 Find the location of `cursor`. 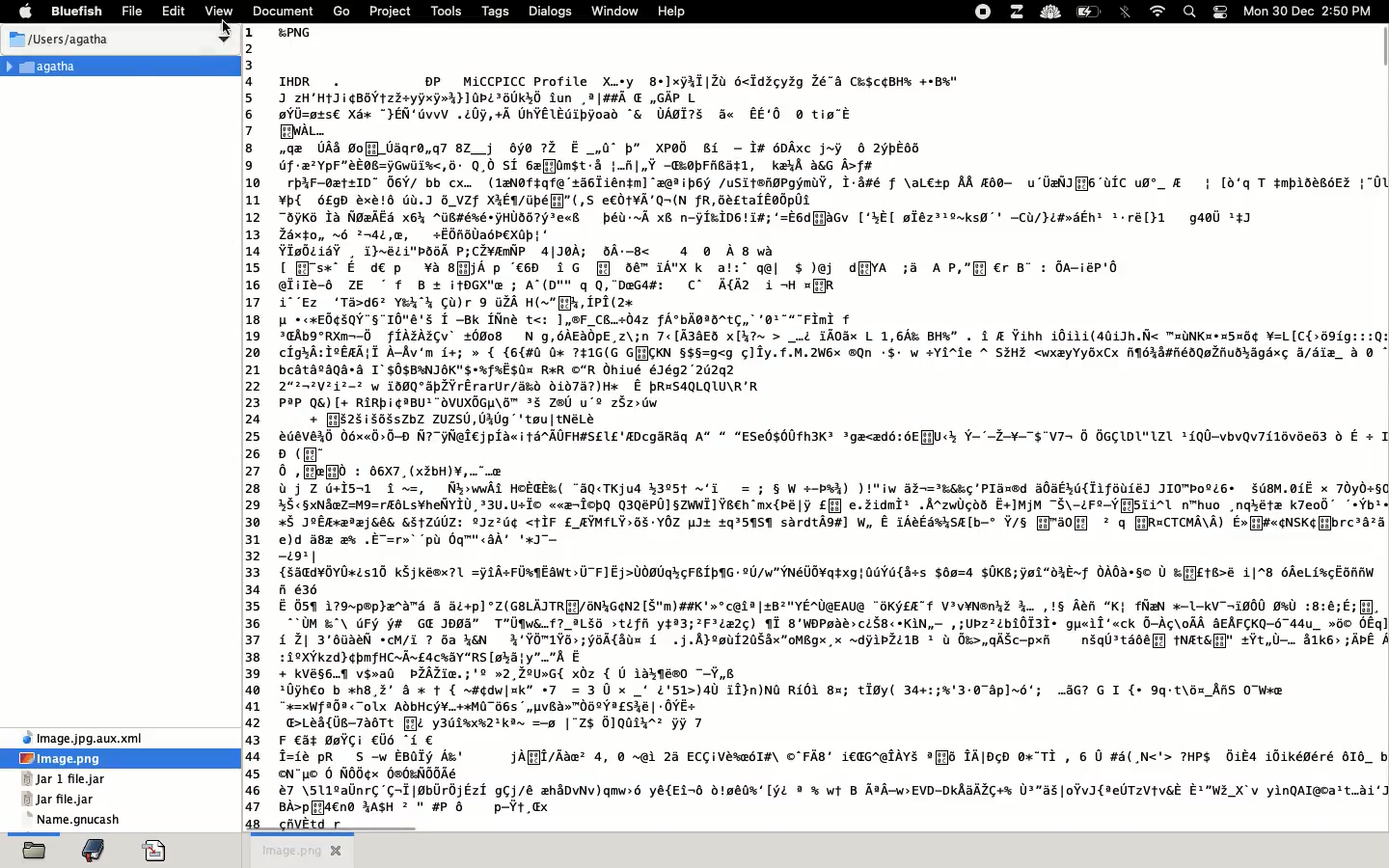

cursor is located at coordinates (227, 28).